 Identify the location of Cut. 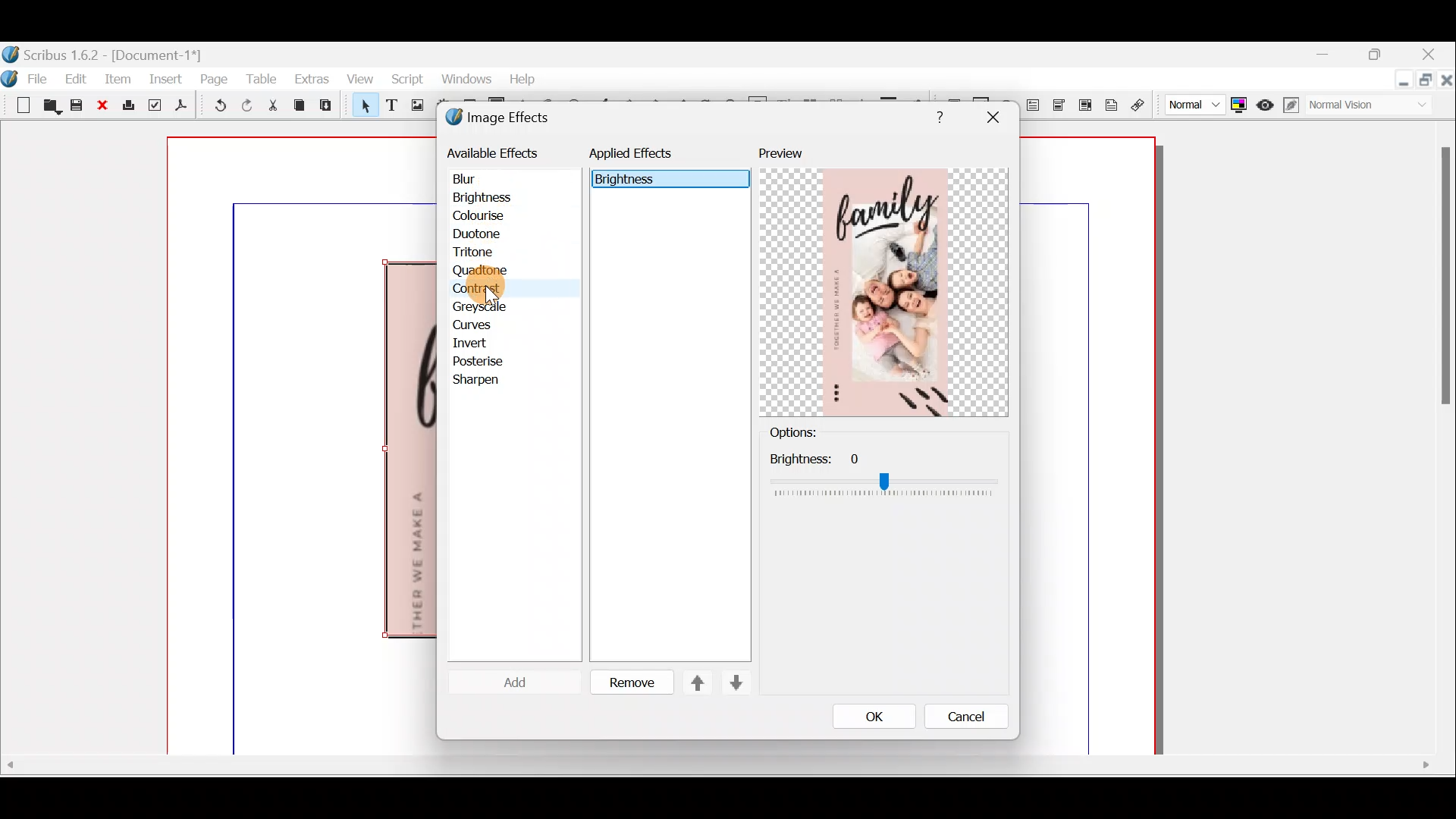
(272, 108).